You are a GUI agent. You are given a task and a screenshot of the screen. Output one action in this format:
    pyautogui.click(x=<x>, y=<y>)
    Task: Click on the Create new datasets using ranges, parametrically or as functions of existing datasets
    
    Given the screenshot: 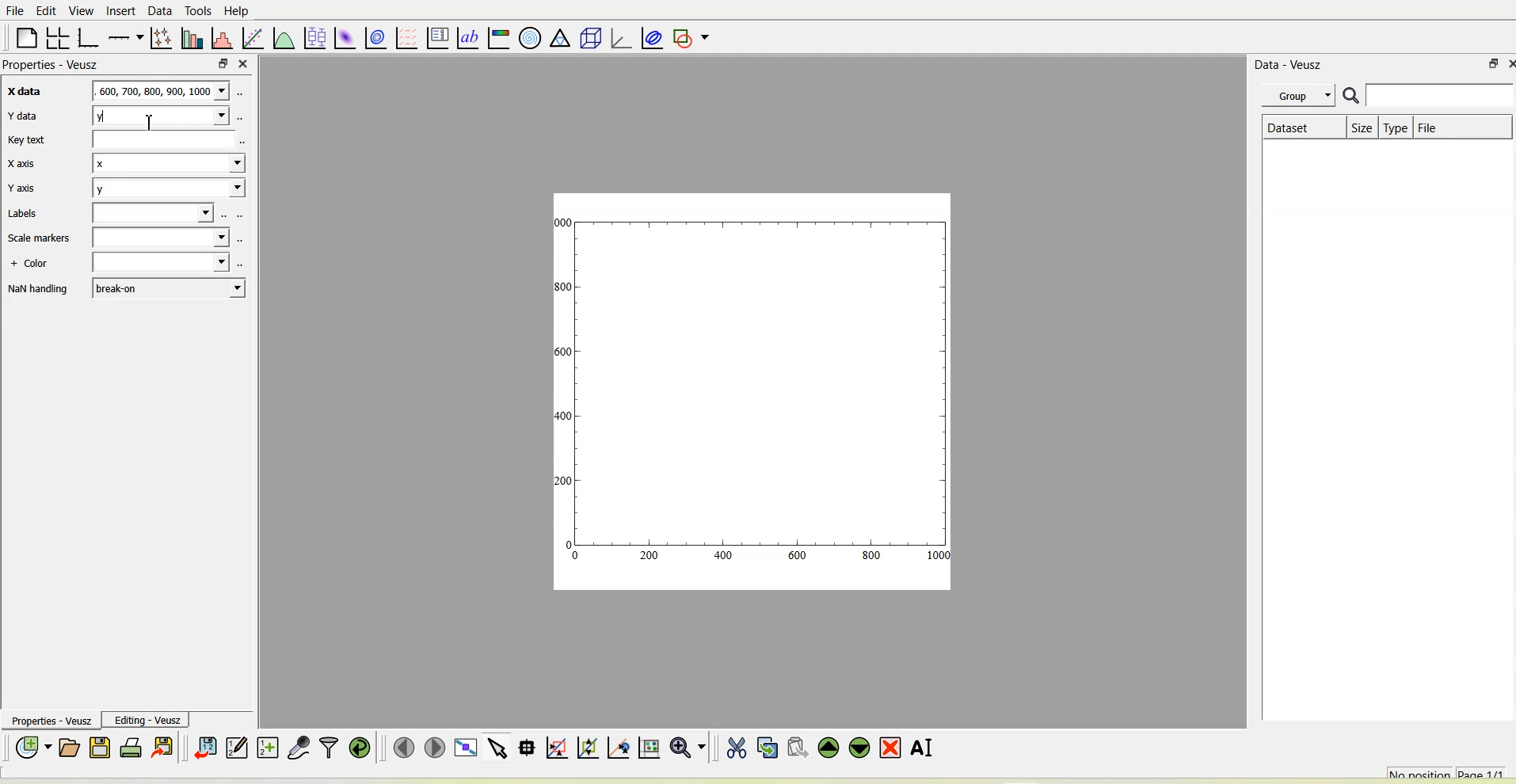 What is the action you would take?
    pyautogui.click(x=268, y=748)
    